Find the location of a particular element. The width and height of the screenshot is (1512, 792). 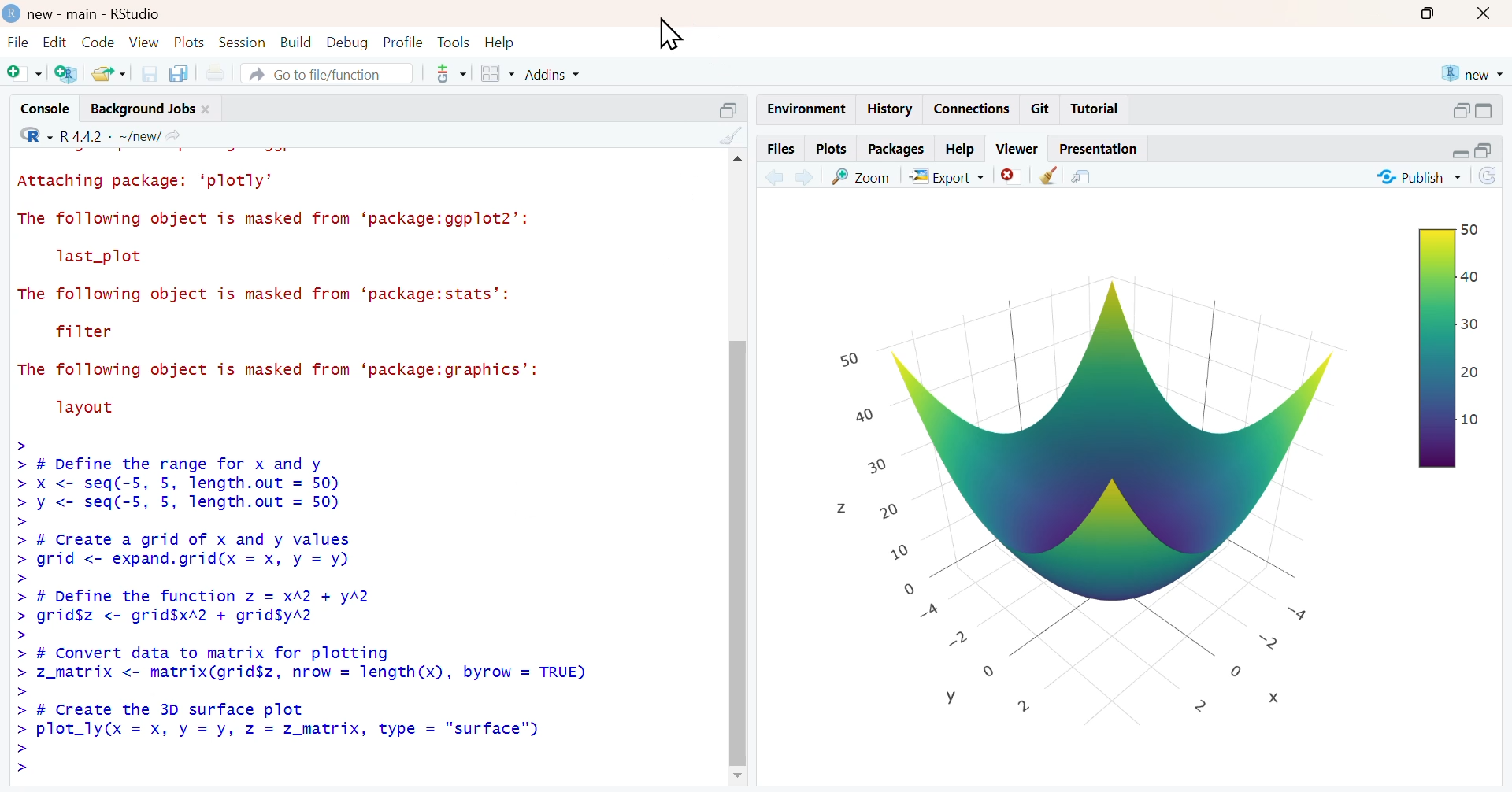

> grid <- expand.grid(x = x, y =y) is located at coordinates (193, 561).